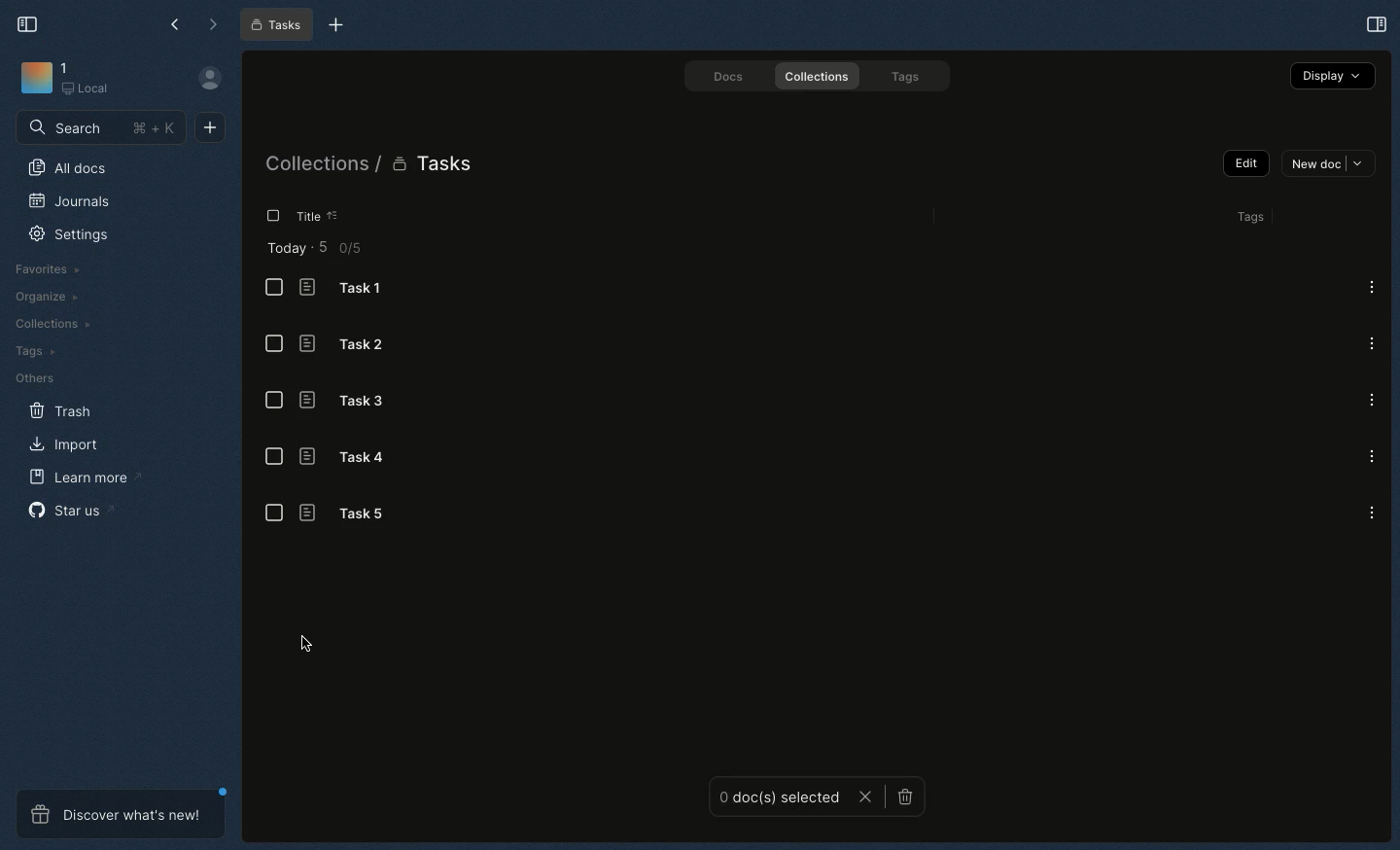  Describe the element at coordinates (357, 514) in the screenshot. I see `Task 5` at that location.